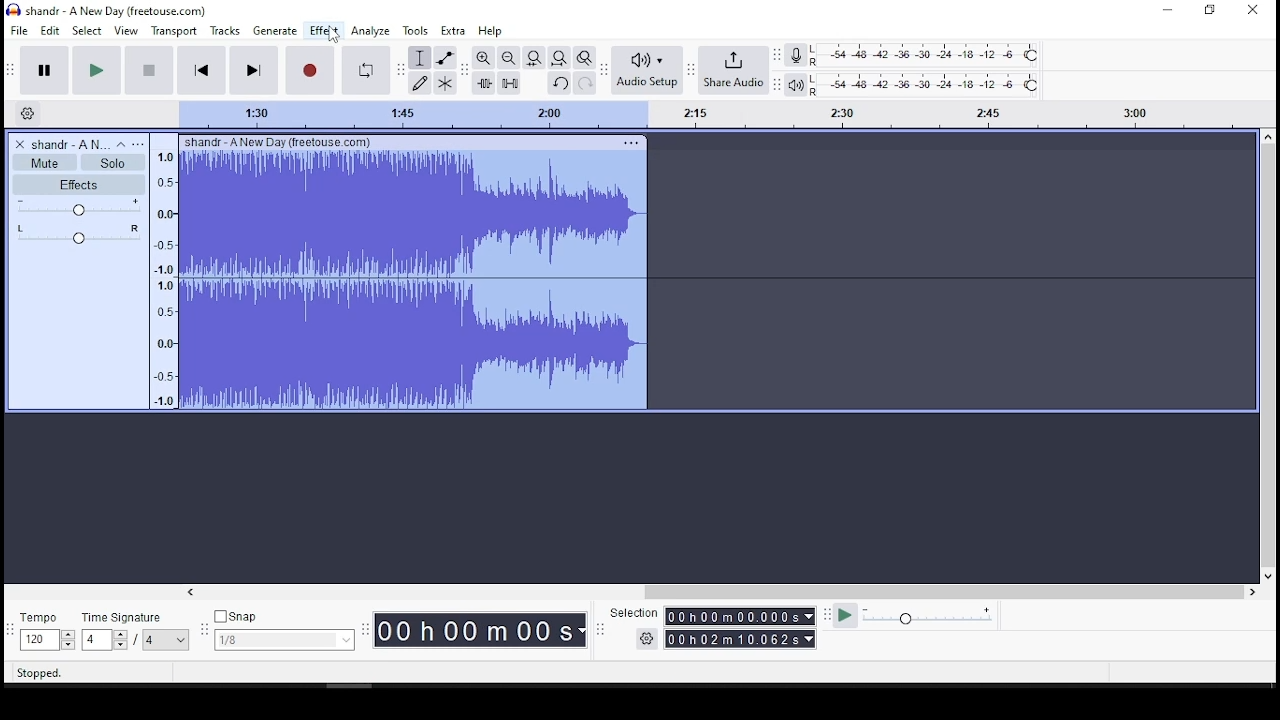 This screenshot has width=1280, height=720. I want to click on track's time, so click(707, 116).